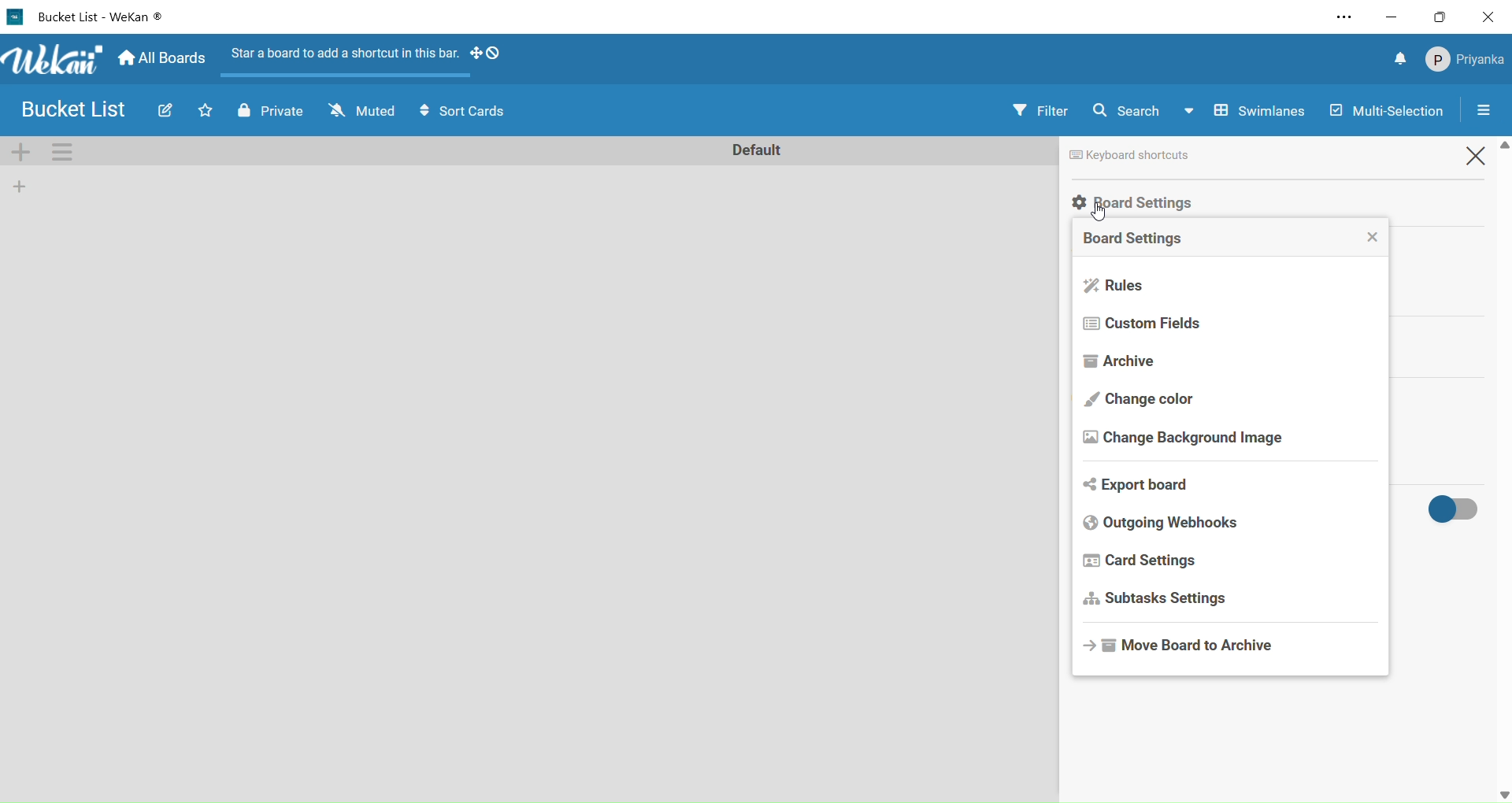 The width and height of the screenshot is (1512, 803). Describe the element at coordinates (1106, 214) in the screenshot. I see `cursor` at that location.